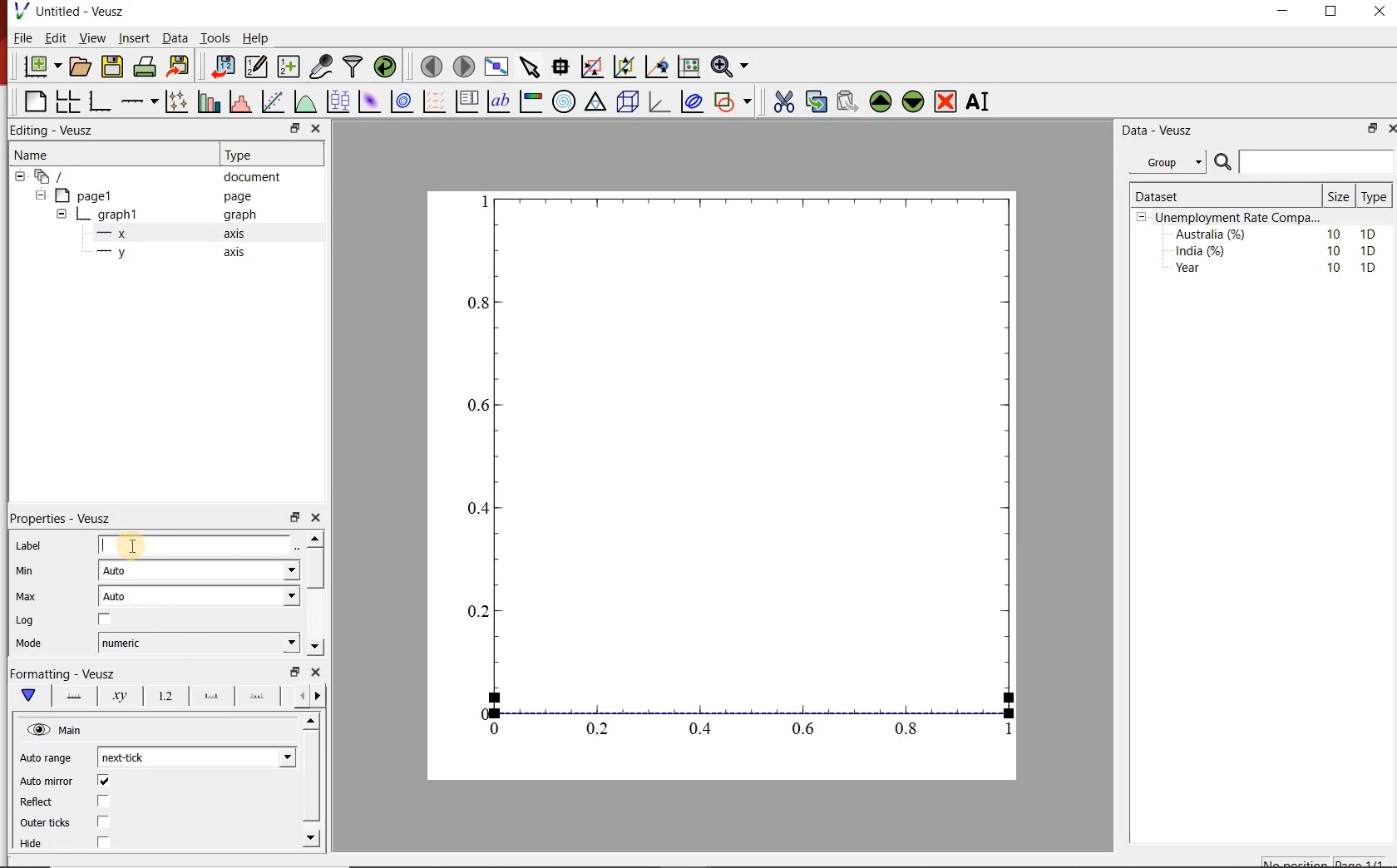  I want to click on base graphs, so click(101, 101).